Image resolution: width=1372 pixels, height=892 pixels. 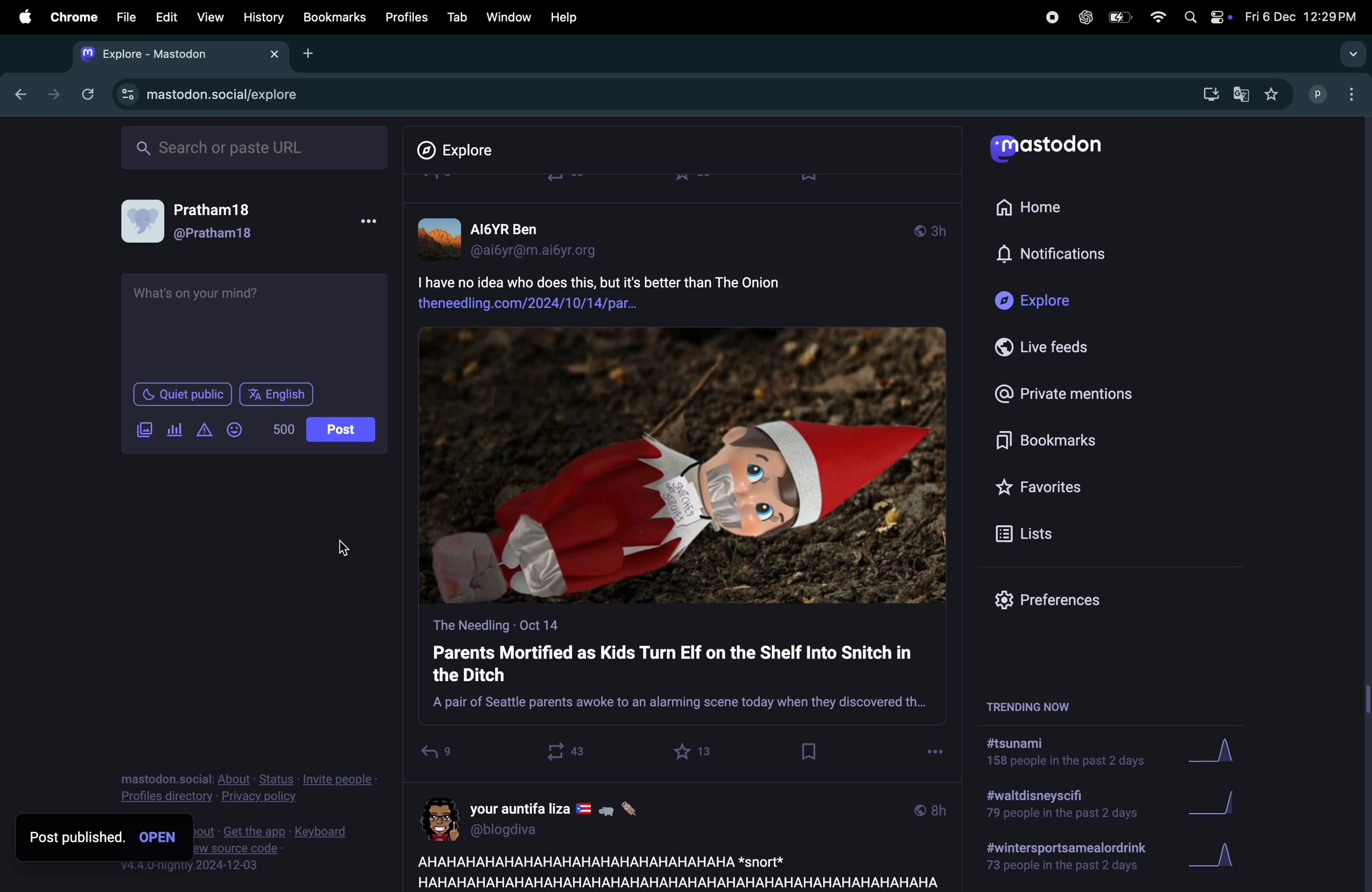 I want to click on quiet place, so click(x=183, y=394).